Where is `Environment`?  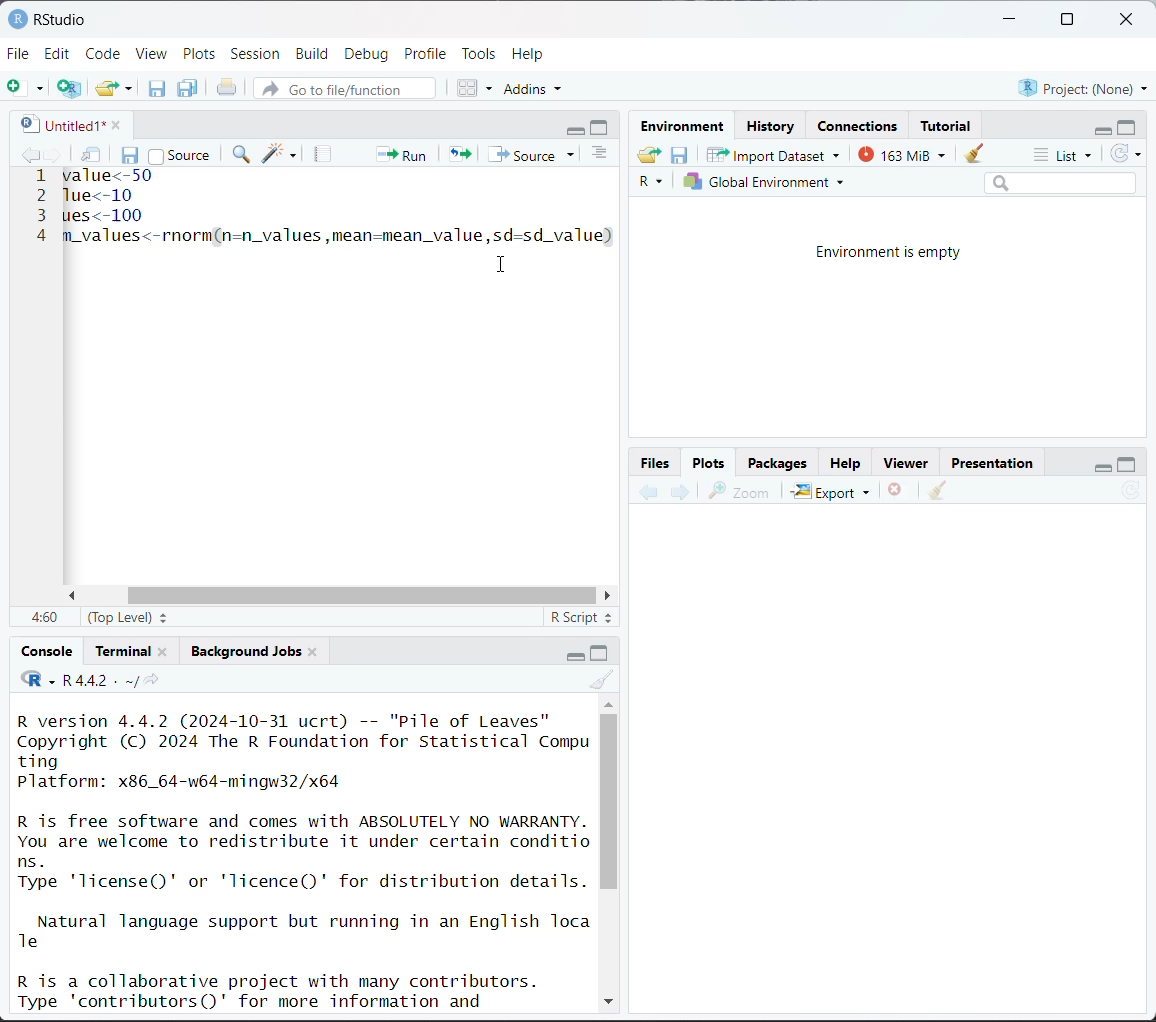
Environment is located at coordinates (686, 127).